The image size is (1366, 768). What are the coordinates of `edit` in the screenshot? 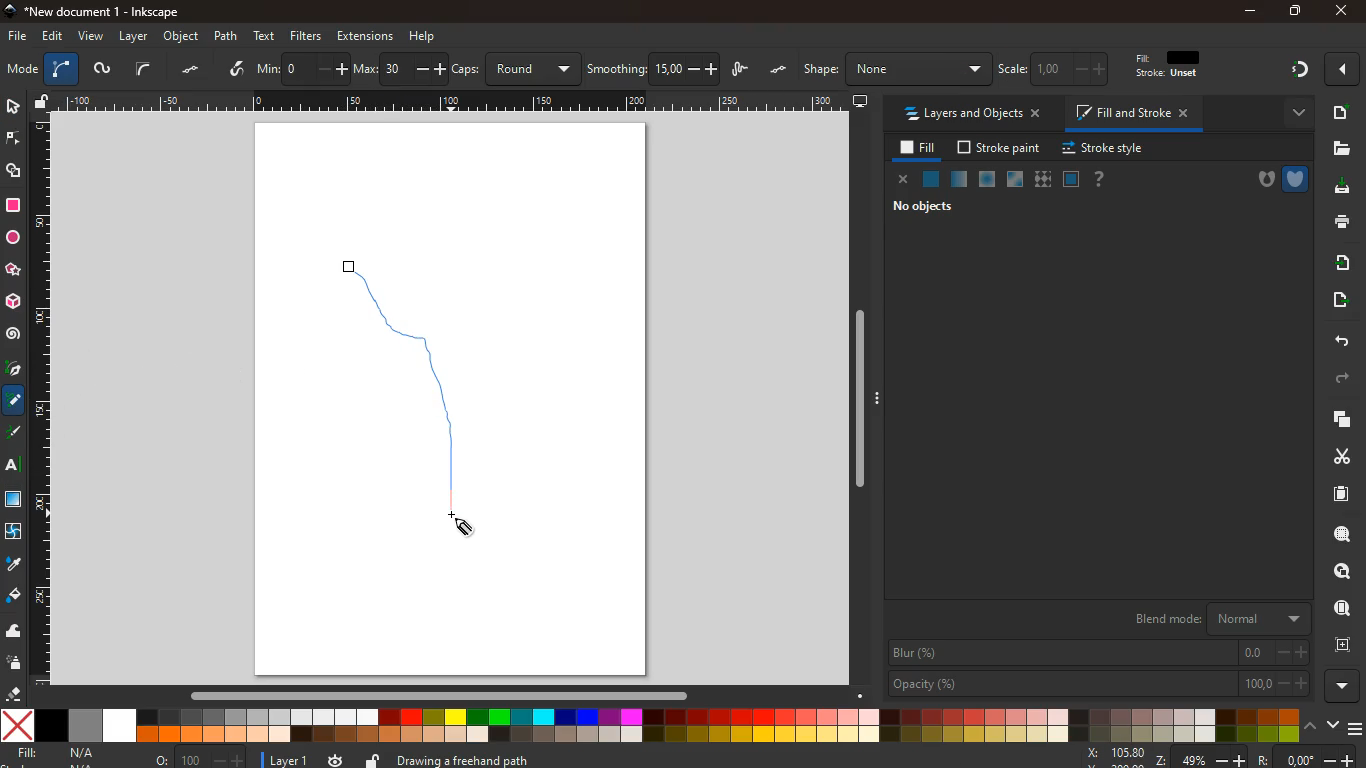 It's located at (1060, 69).